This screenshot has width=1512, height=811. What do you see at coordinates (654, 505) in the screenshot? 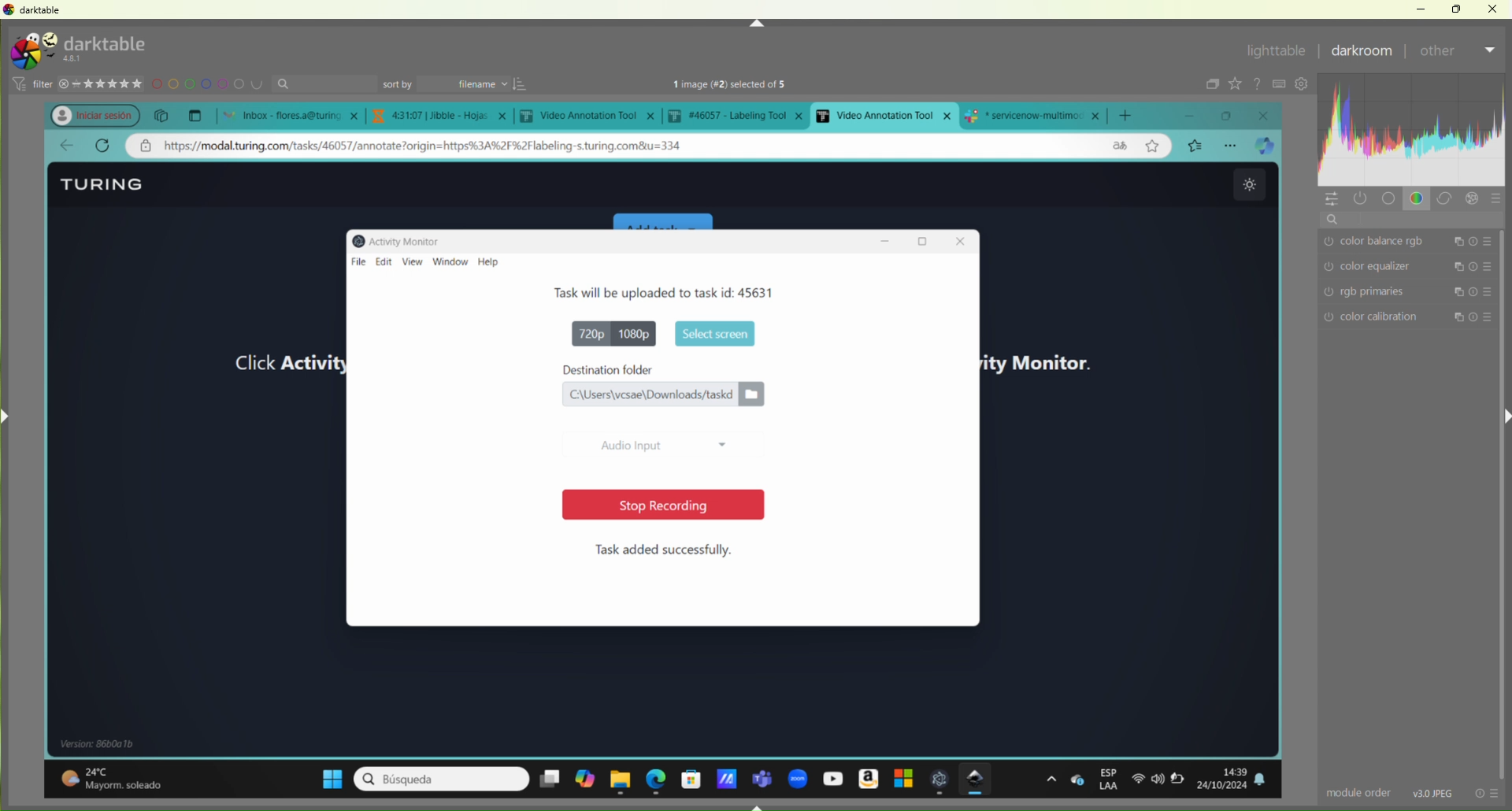
I see `stop recording` at bounding box center [654, 505].